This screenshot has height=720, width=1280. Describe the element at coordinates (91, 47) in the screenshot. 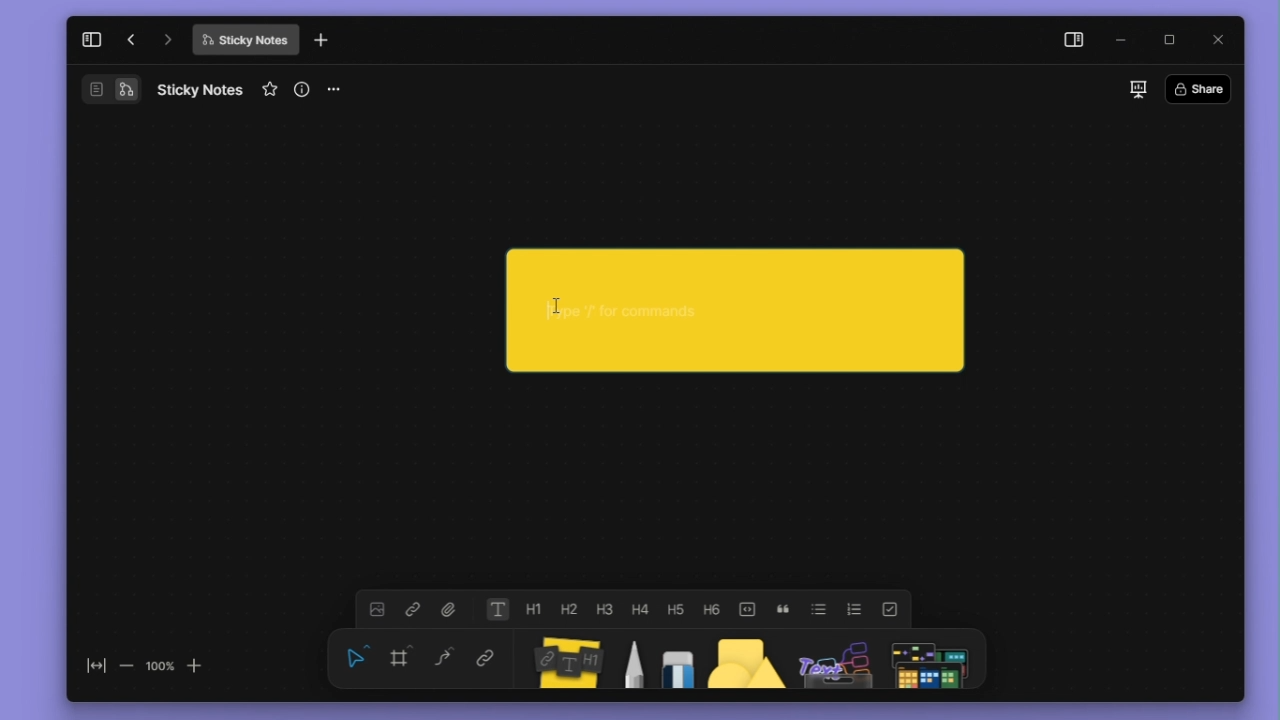

I see `collapse sidebar` at that location.